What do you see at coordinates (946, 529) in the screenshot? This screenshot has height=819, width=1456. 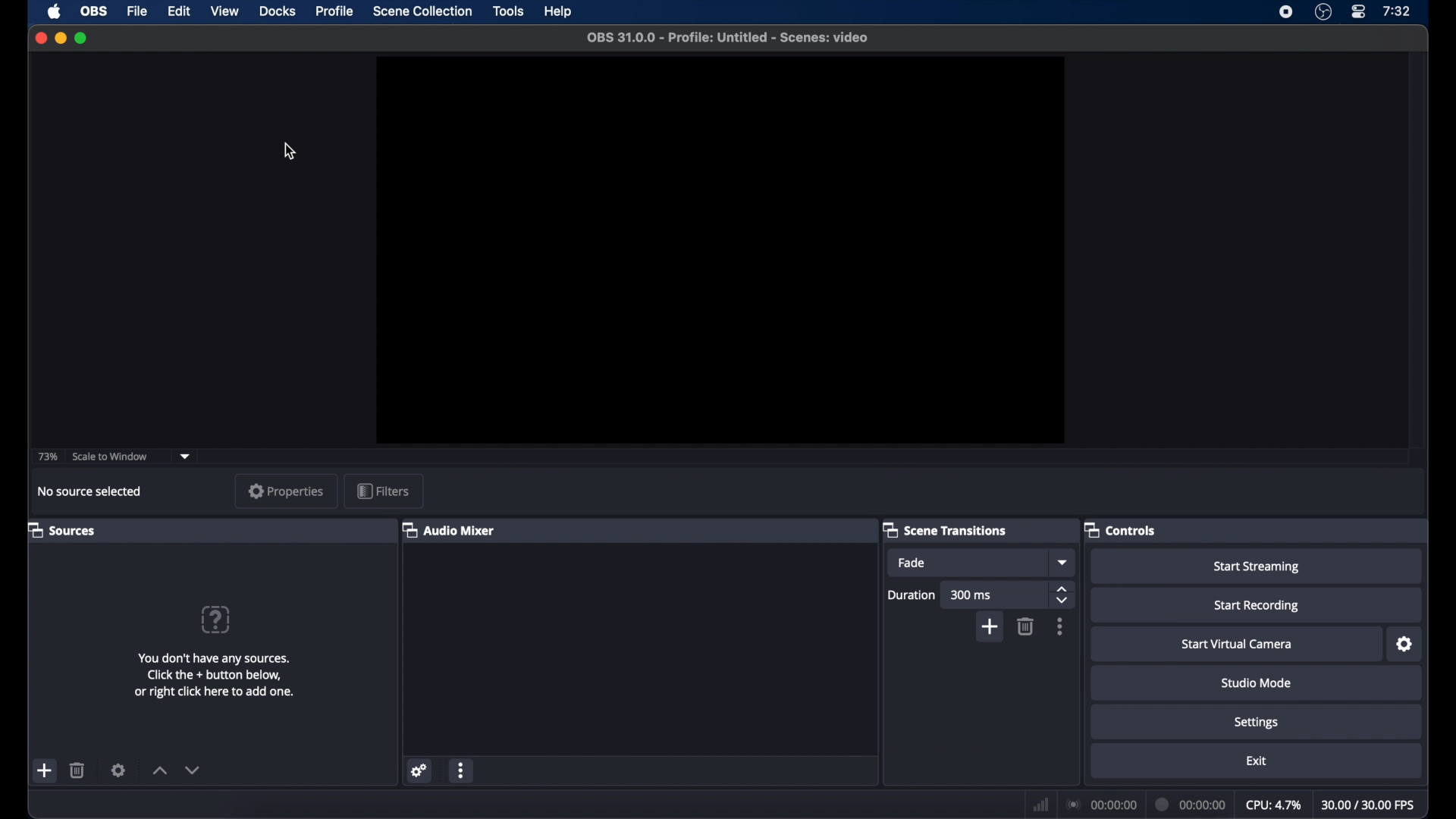 I see `scene transitions` at bounding box center [946, 529].